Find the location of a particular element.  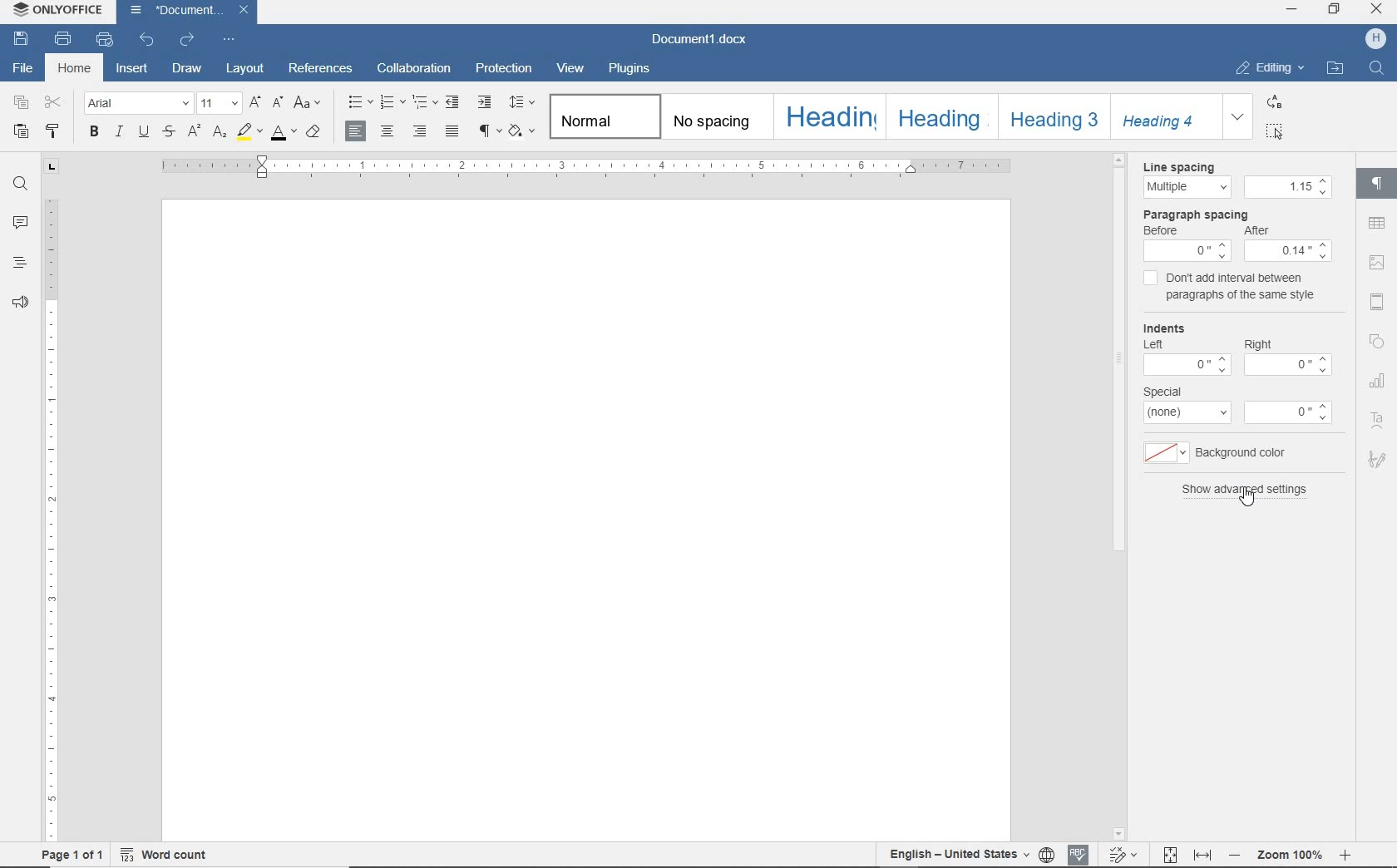

undo is located at coordinates (148, 42).